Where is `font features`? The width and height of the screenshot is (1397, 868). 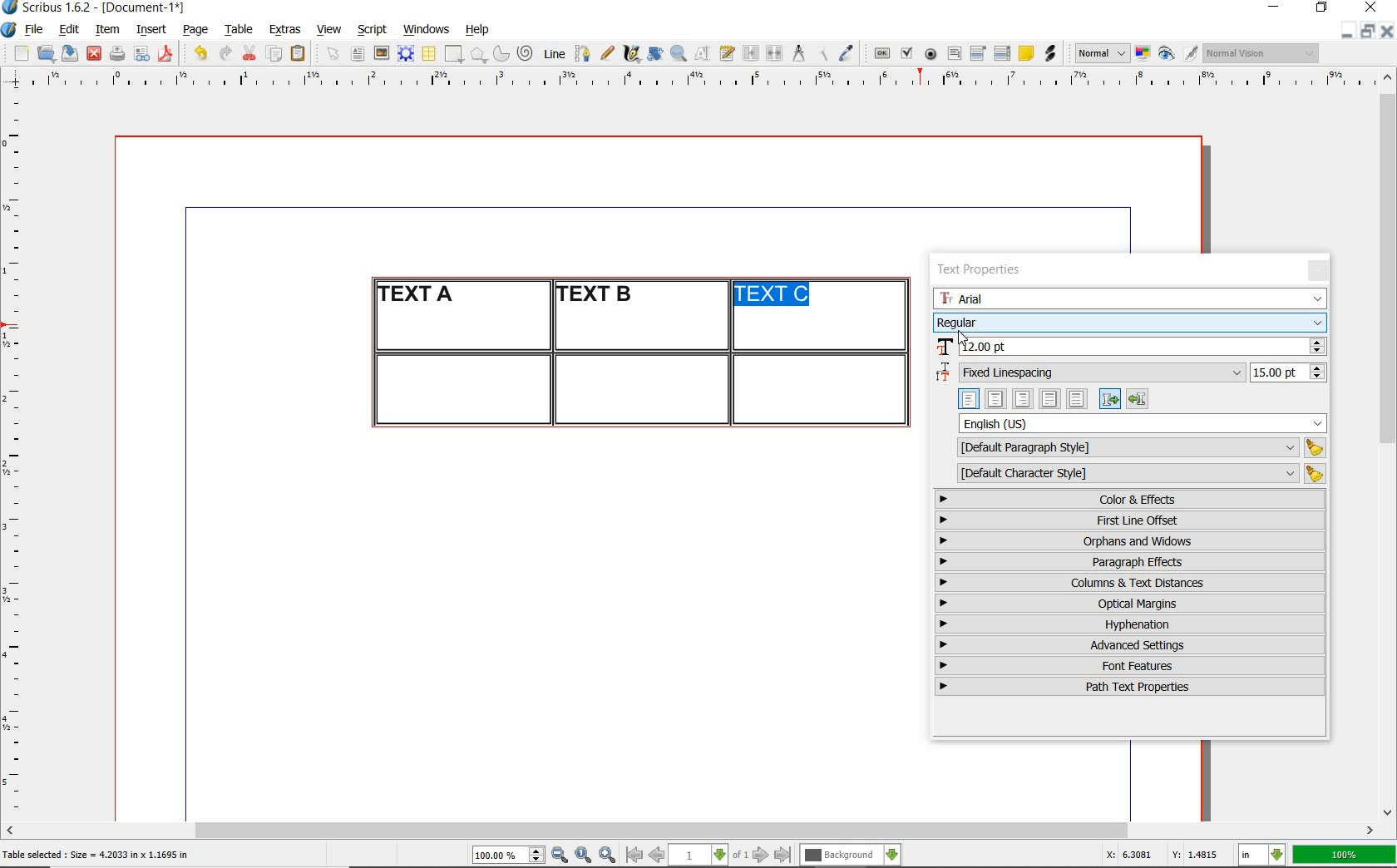
font features is located at coordinates (1130, 665).